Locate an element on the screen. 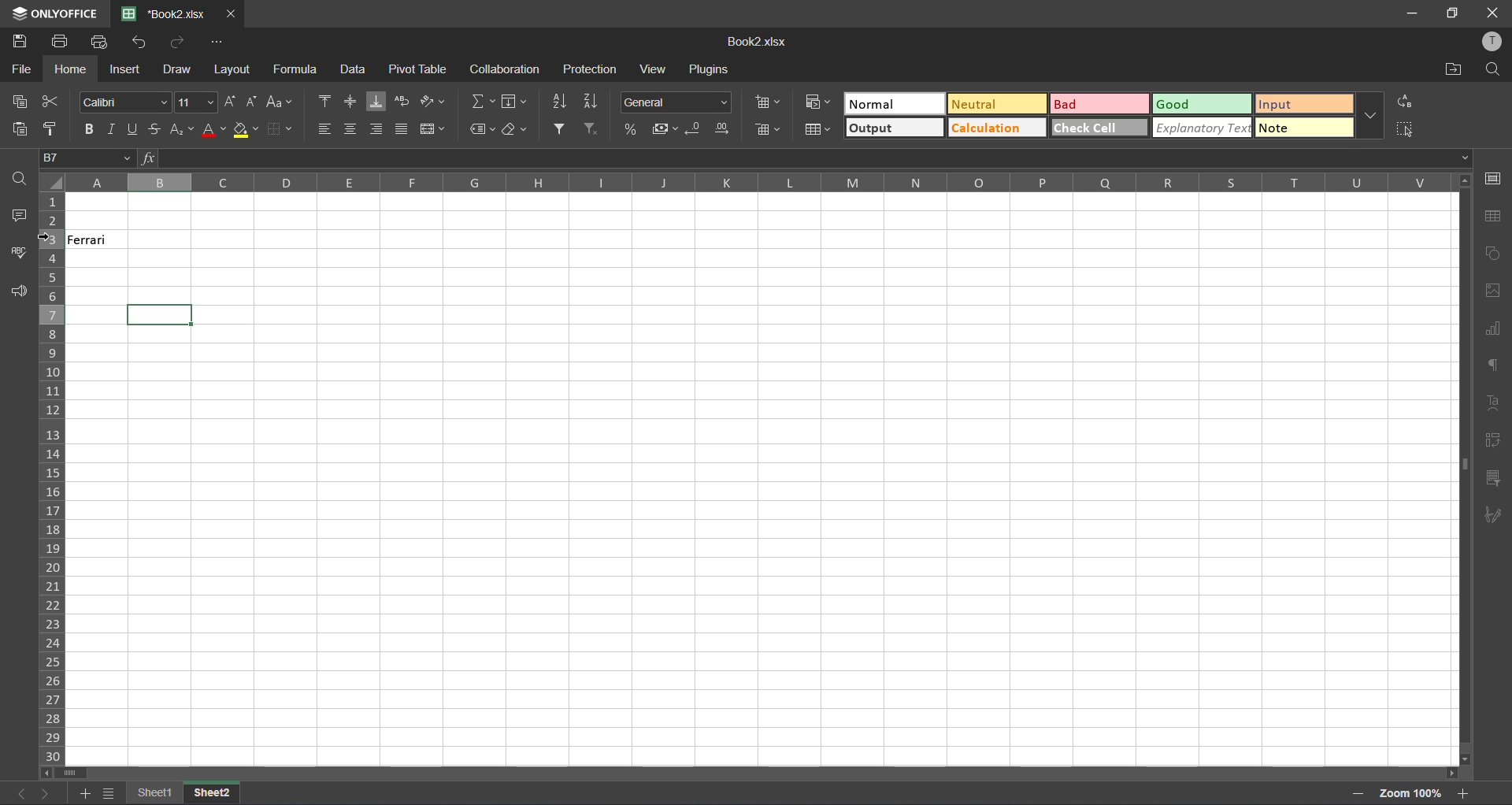 The image size is (1512, 805). sheet list is located at coordinates (110, 793).